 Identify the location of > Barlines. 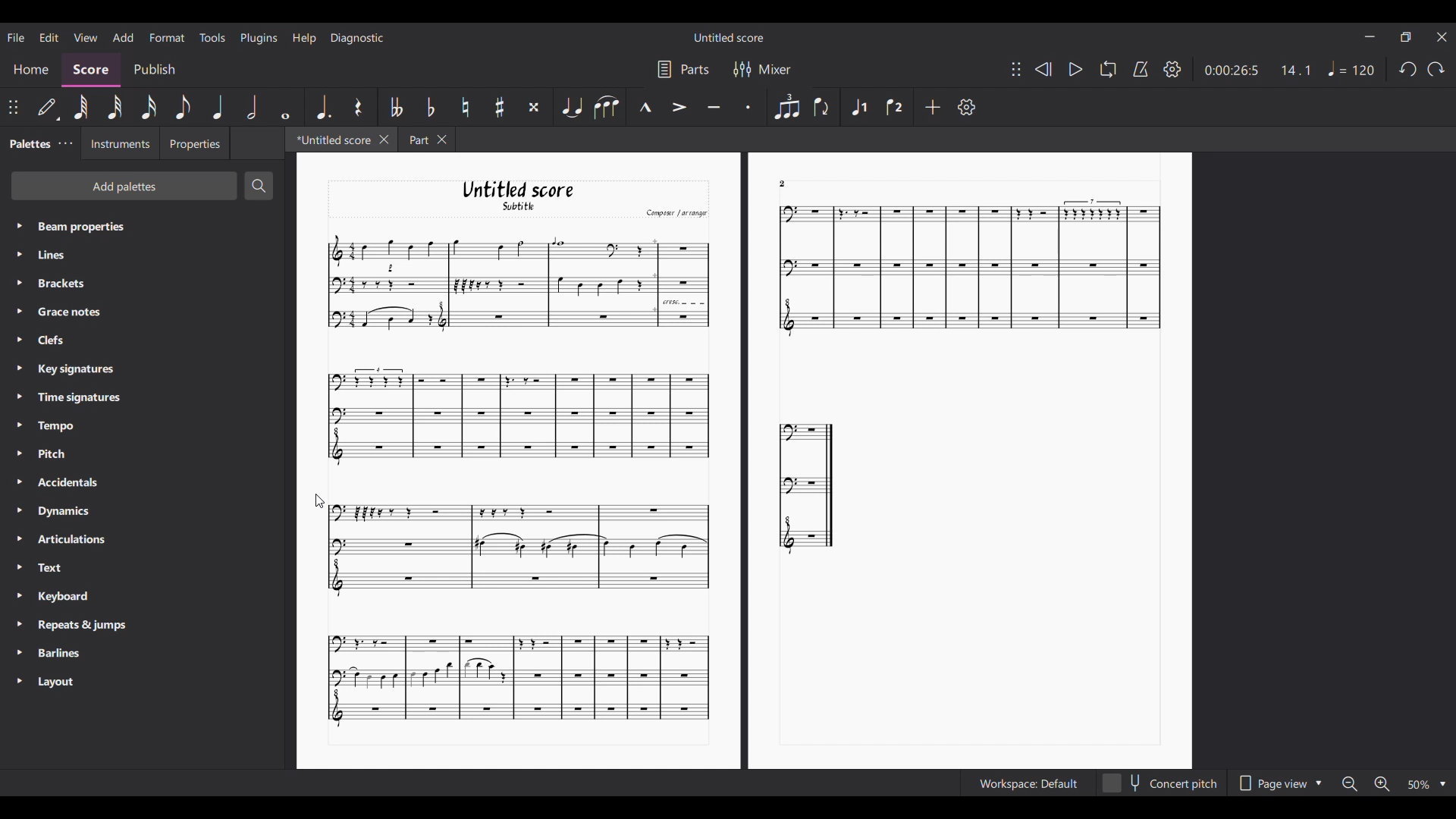
(57, 654).